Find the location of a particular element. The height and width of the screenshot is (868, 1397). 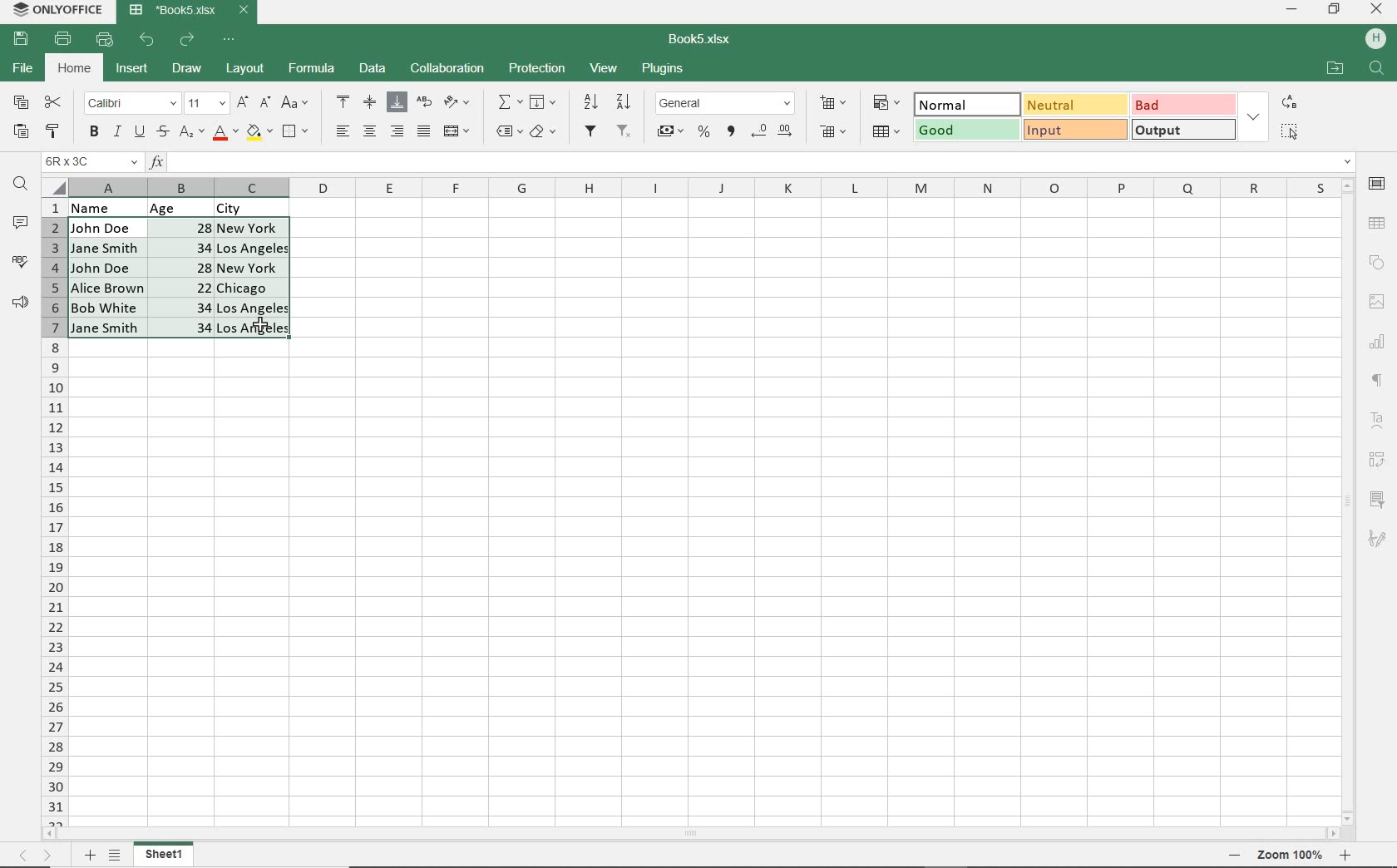

INPUT FUNCTION is located at coordinates (752, 162).